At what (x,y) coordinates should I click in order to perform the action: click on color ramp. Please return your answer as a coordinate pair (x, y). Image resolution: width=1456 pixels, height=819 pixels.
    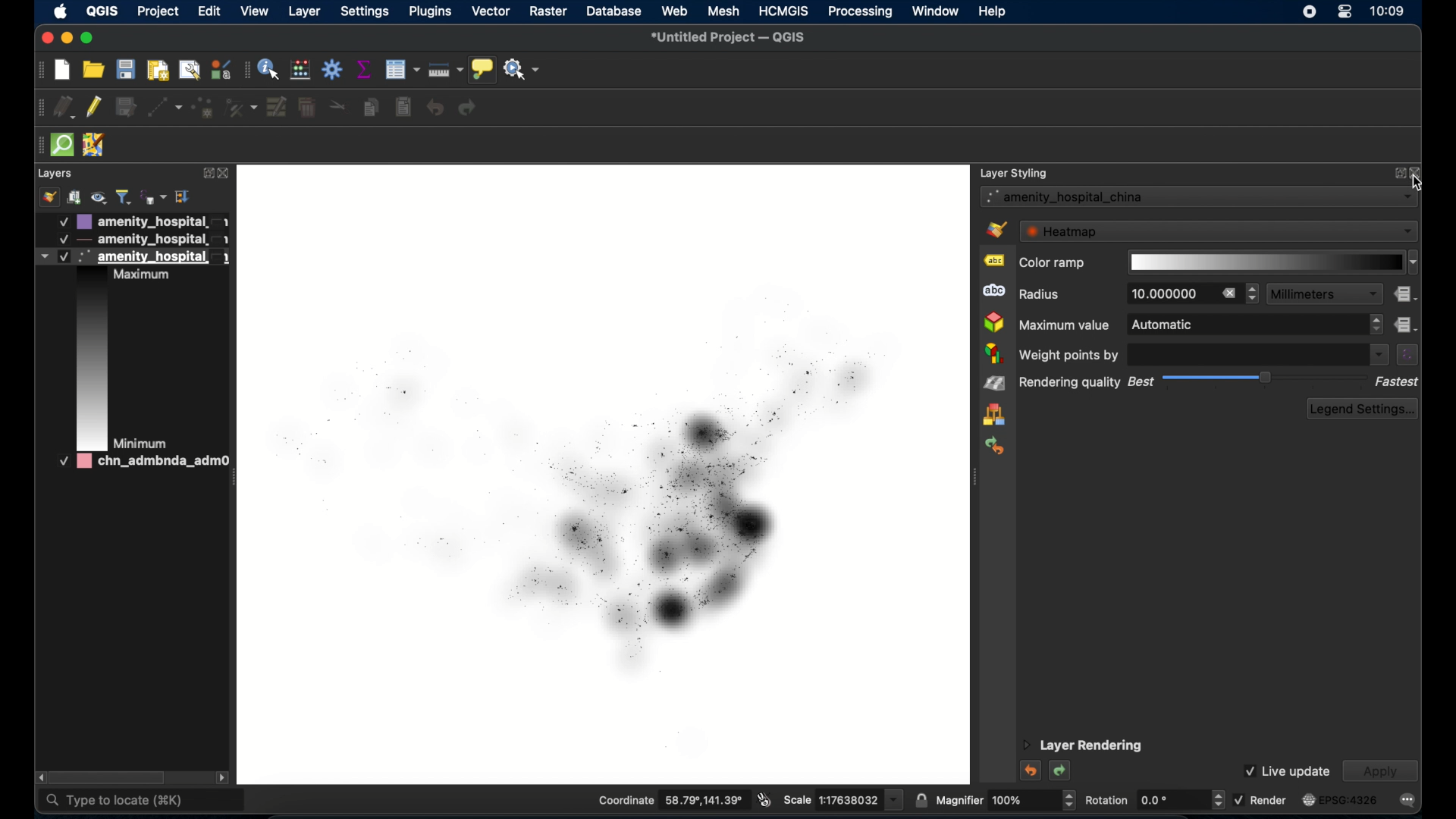
    Looking at the image, I should click on (1052, 264).